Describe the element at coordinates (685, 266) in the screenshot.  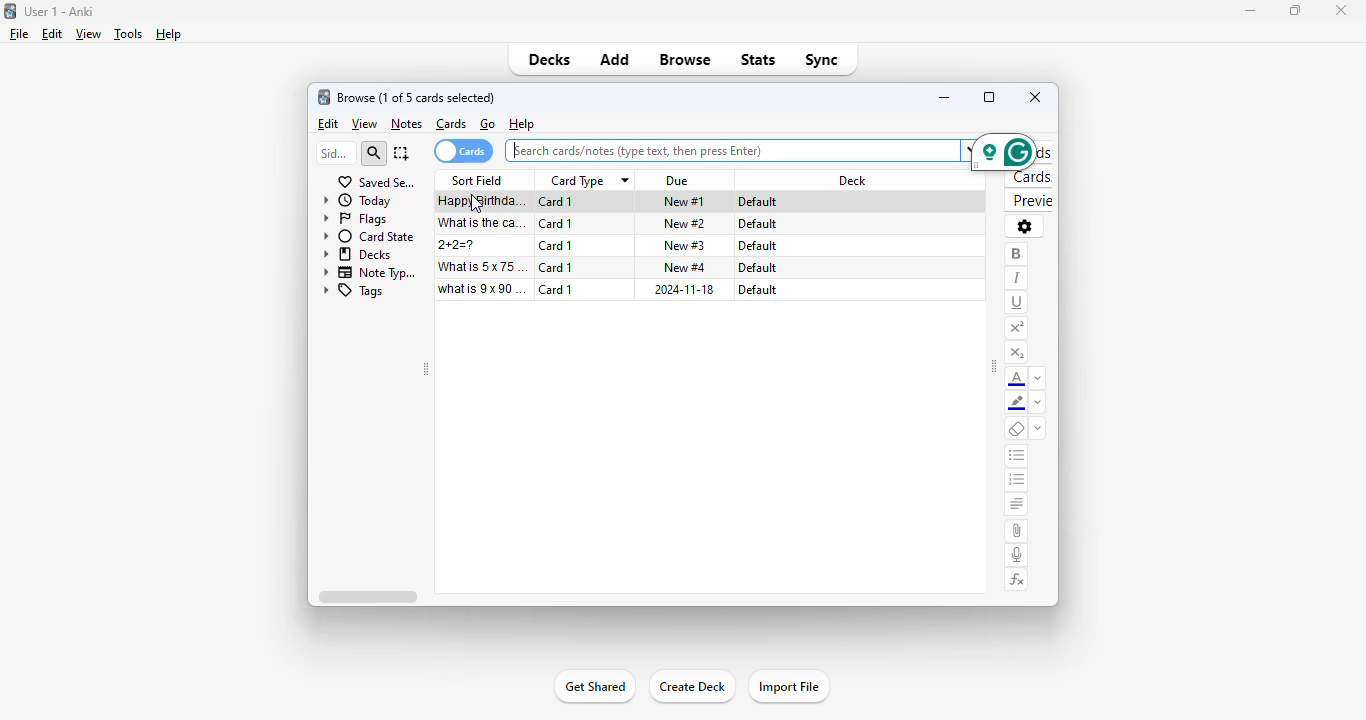
I see `new #4` at that location.